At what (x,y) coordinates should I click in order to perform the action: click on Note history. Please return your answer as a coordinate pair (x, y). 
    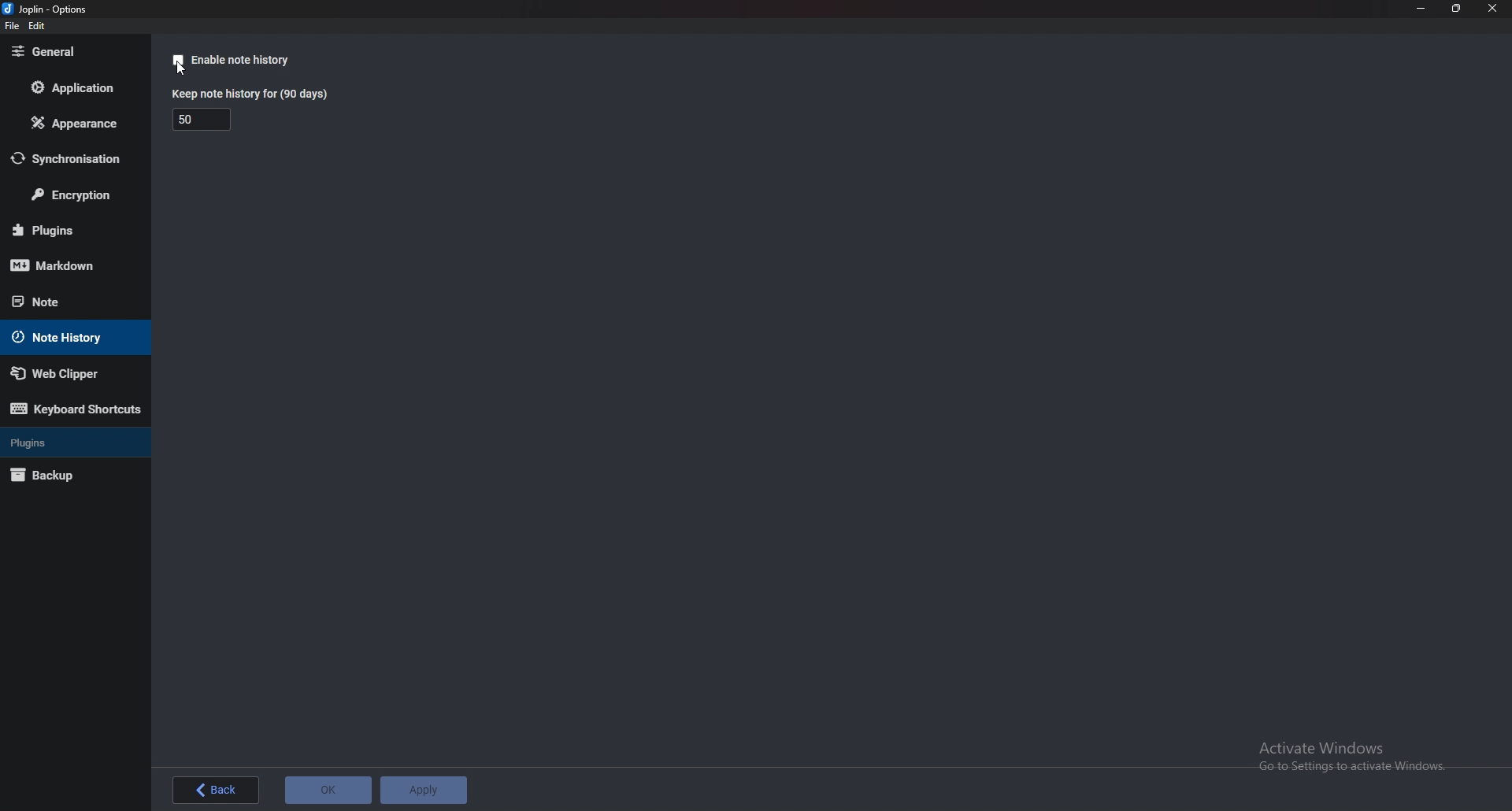
    Looking at the image, I should click on (69, 338).